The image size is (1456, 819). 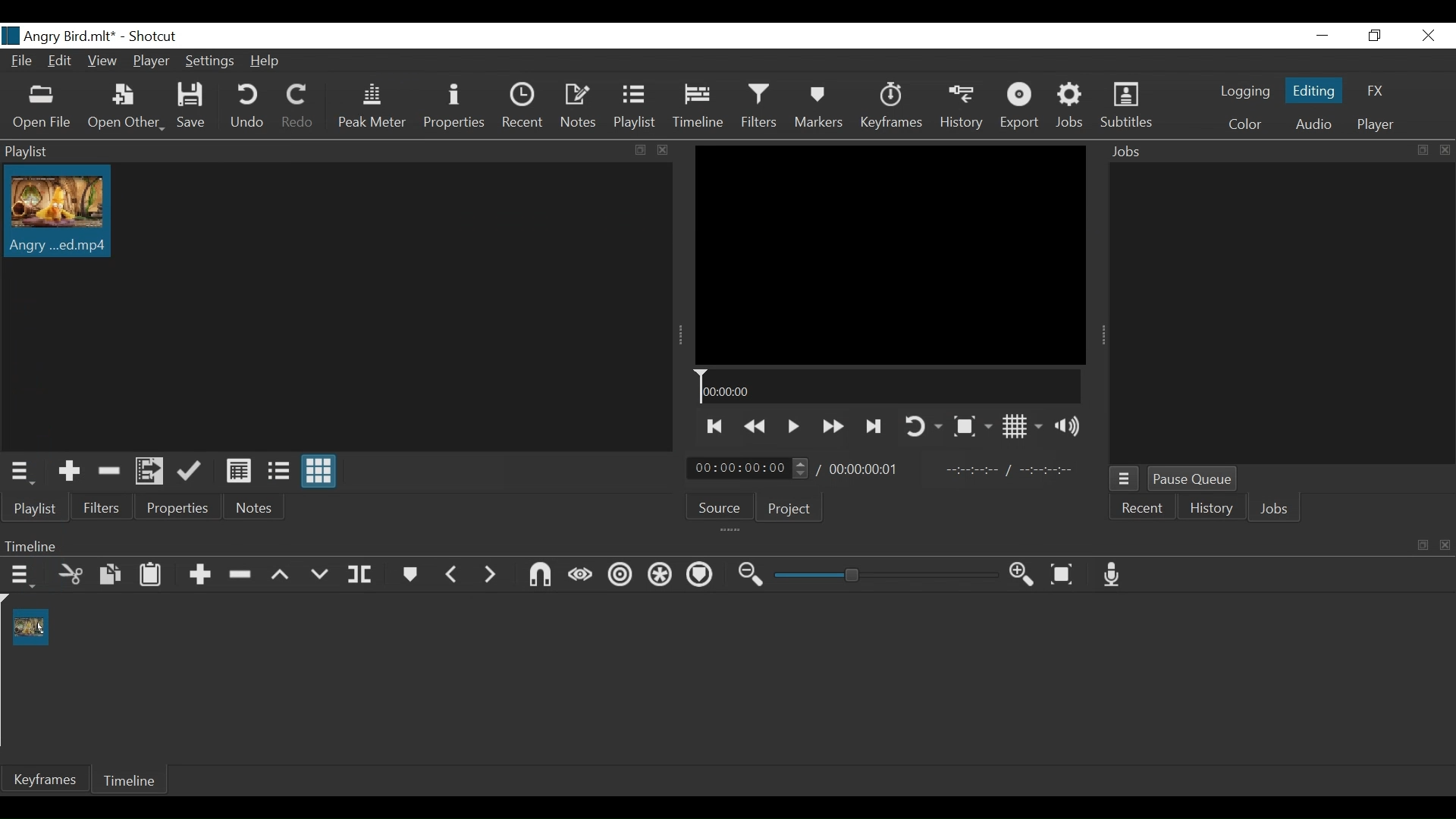 I want to click on Split Playhead, so click(x=359, y=575).